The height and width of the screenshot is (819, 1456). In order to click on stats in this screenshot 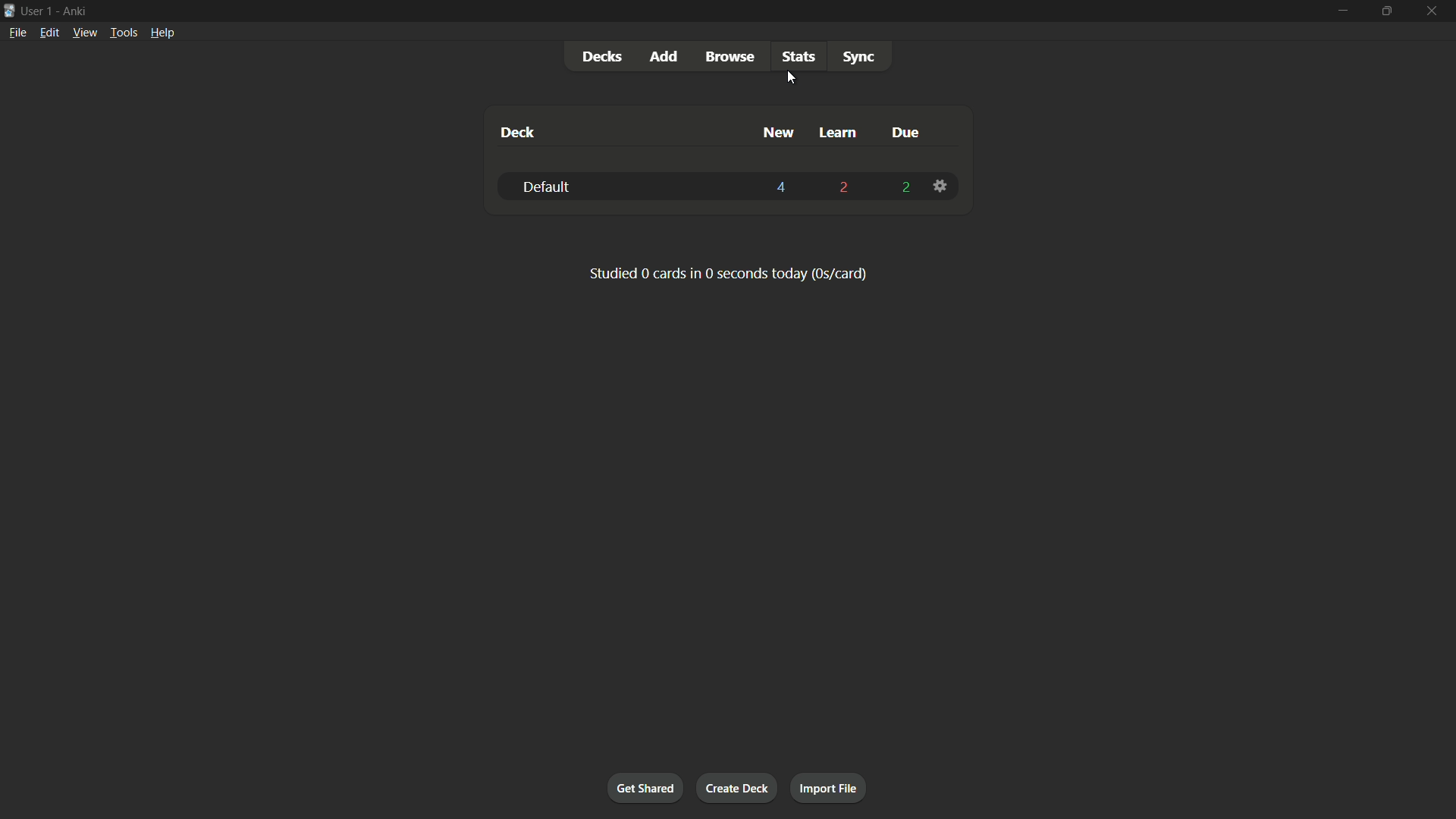, I will do `click(800, 57)`.